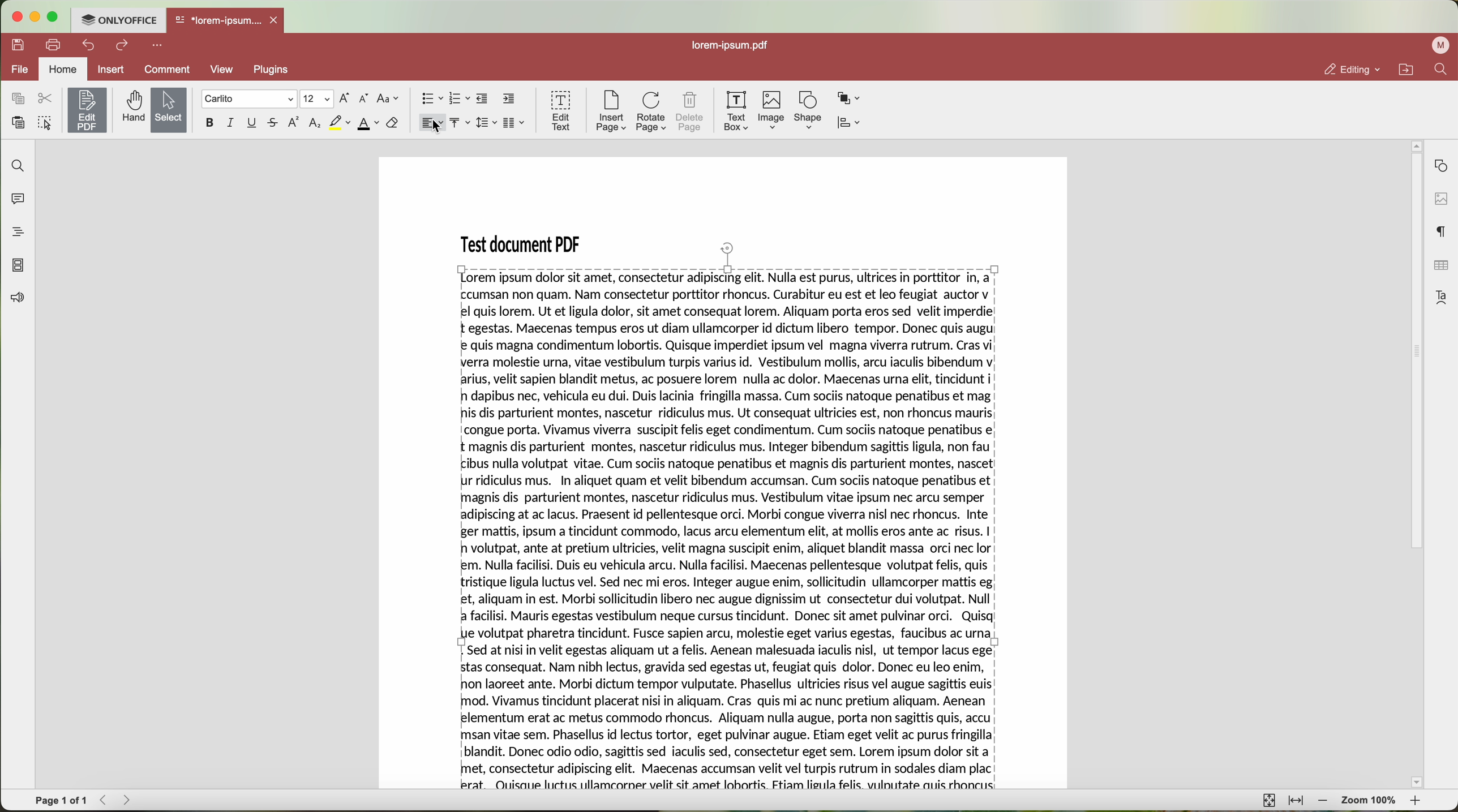 The image size is (1458, 812). Describe the element at coordinates (131, 110) in the screenshot. I see `hand` at that location.